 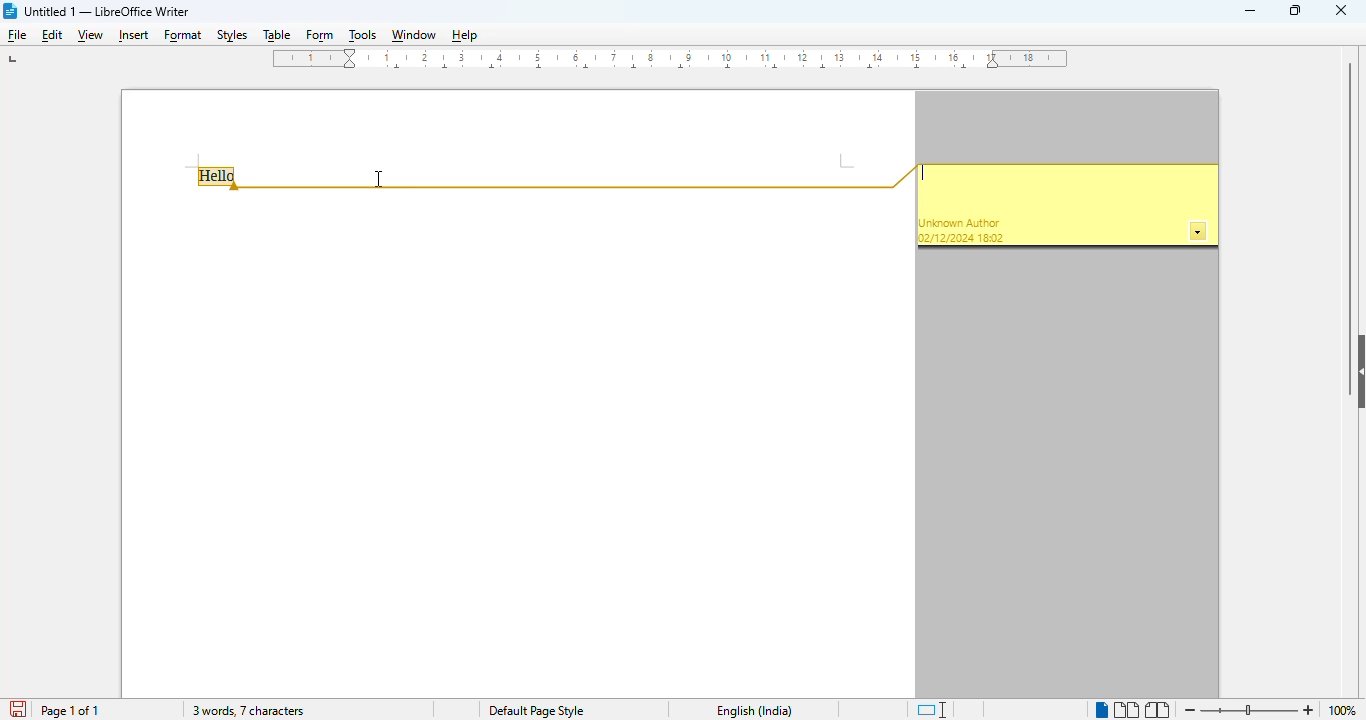 What do you see at coordinates (1101, 711) in the screenshot?
I see `single-page view` at bounding box center [1101, 711].